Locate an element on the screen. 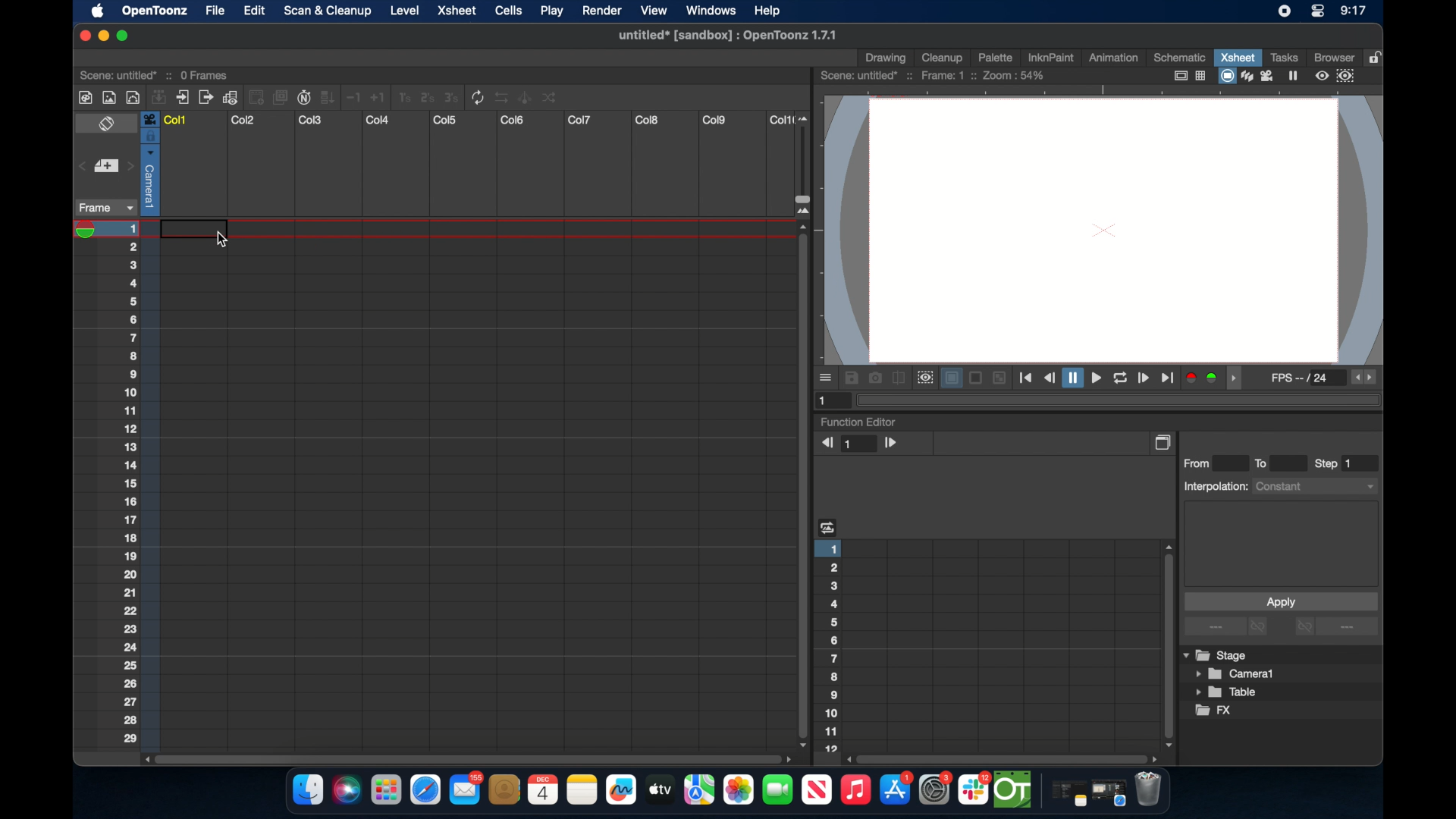 This screenshot has height=819, width=1456. xsheet is located at coordinates (458, 11).